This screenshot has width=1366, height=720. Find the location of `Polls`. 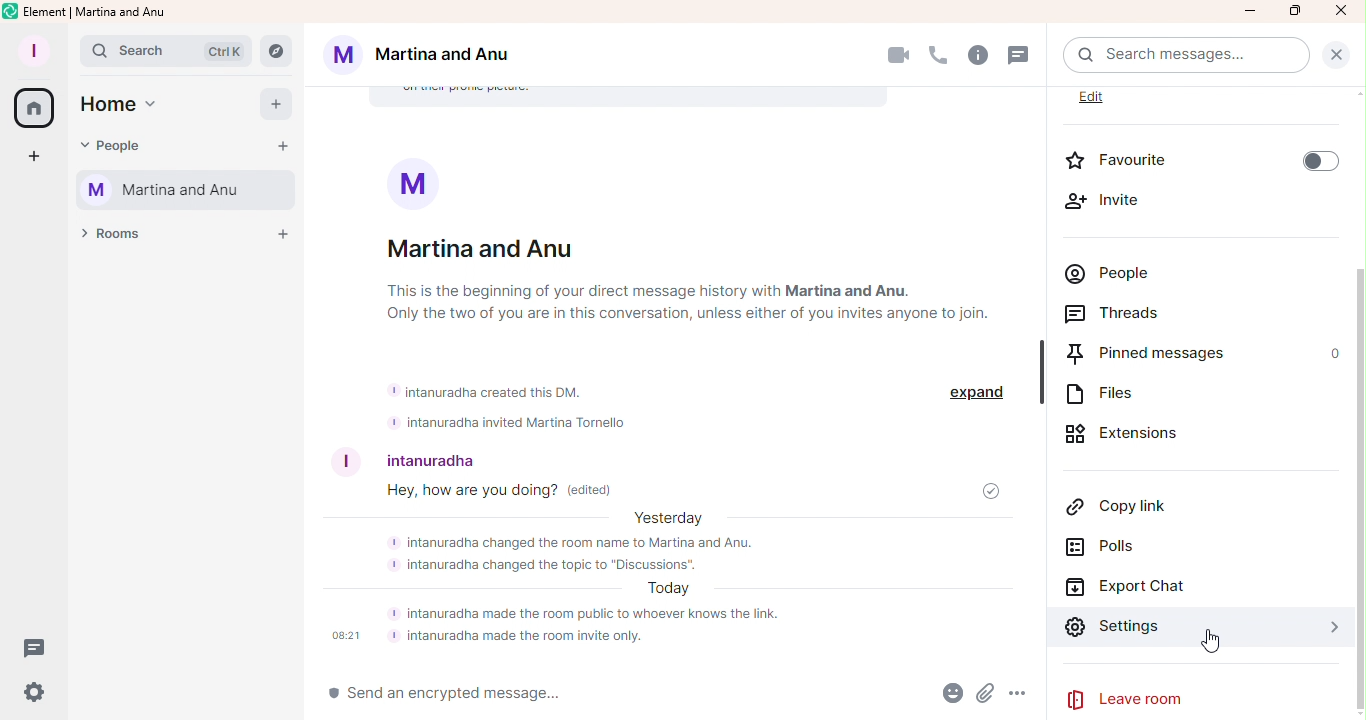

Polls is located at coordinates (1127, 550).